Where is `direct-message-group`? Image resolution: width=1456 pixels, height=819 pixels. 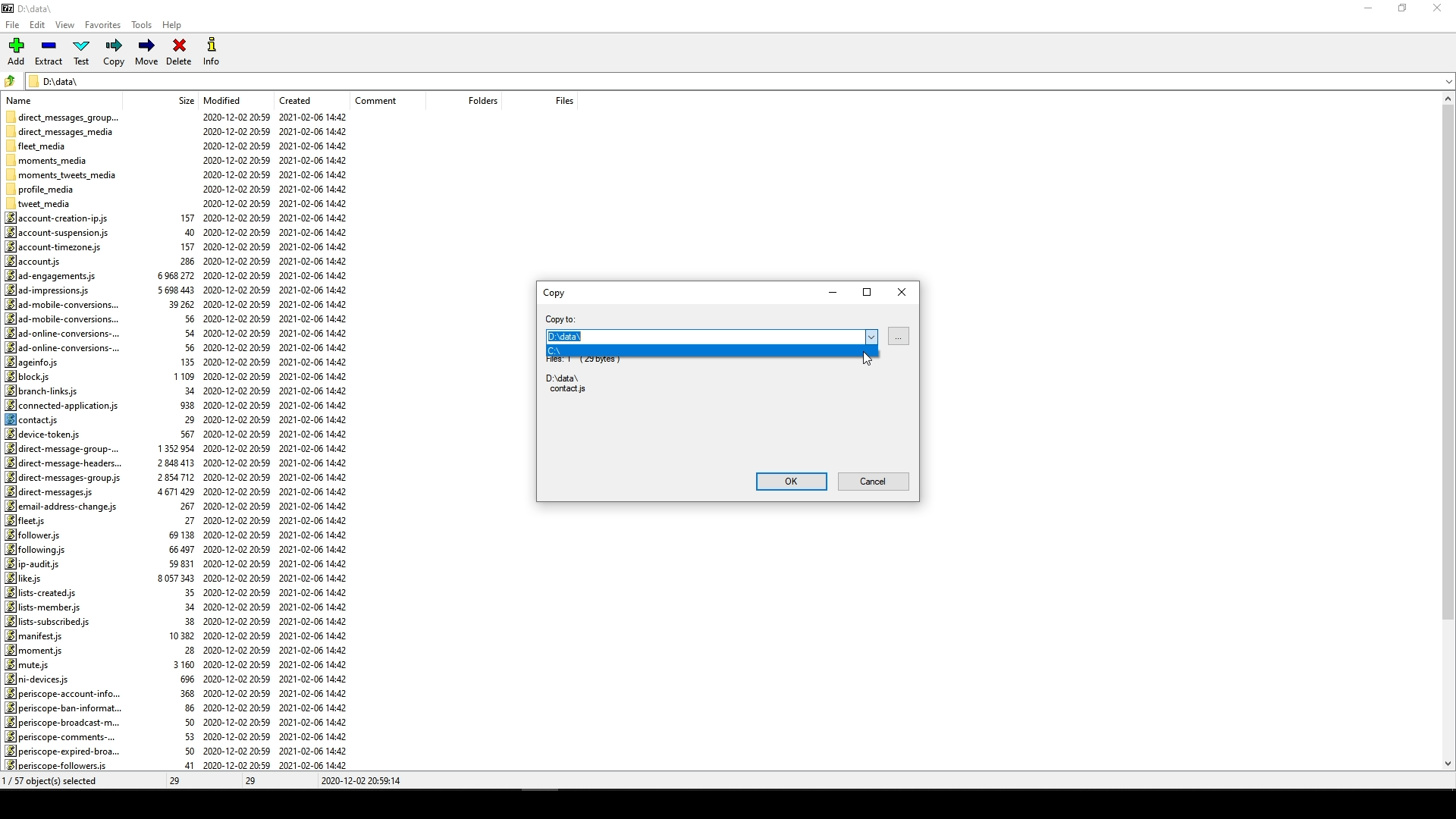
direct-message-group is located at coordinates (67, 449).